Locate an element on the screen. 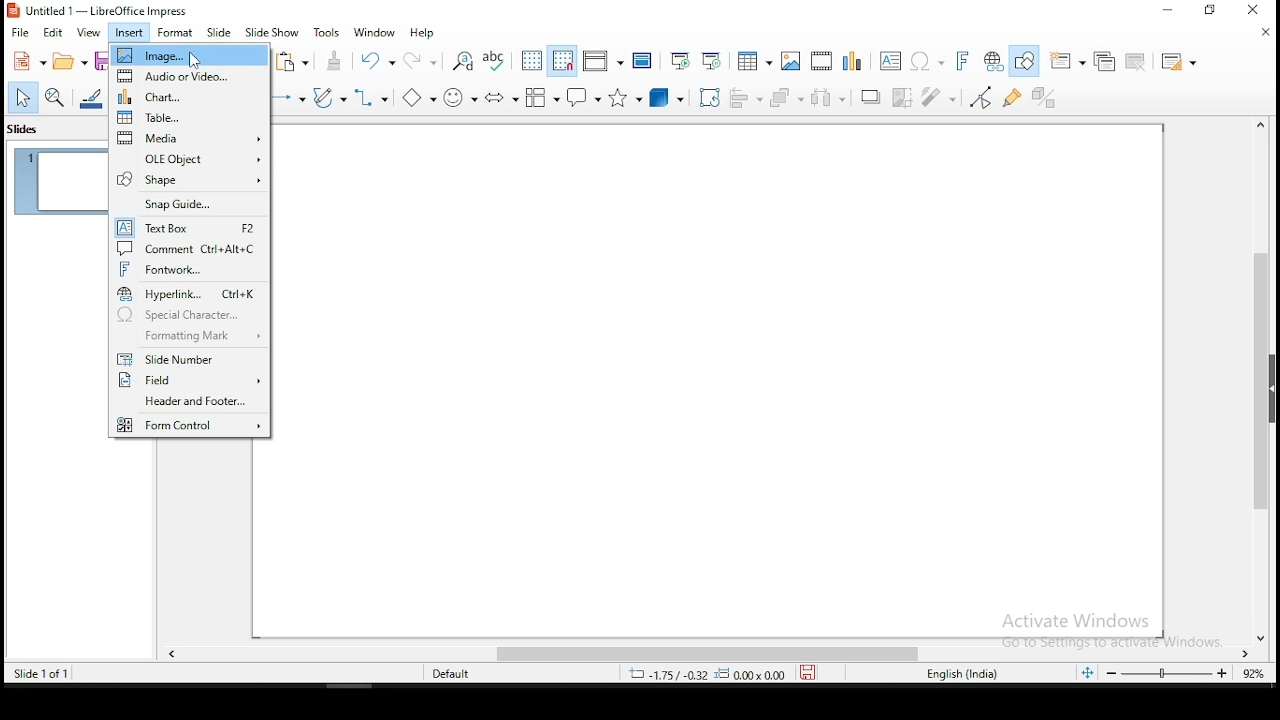  text tool is located at coordinates (891, 60).